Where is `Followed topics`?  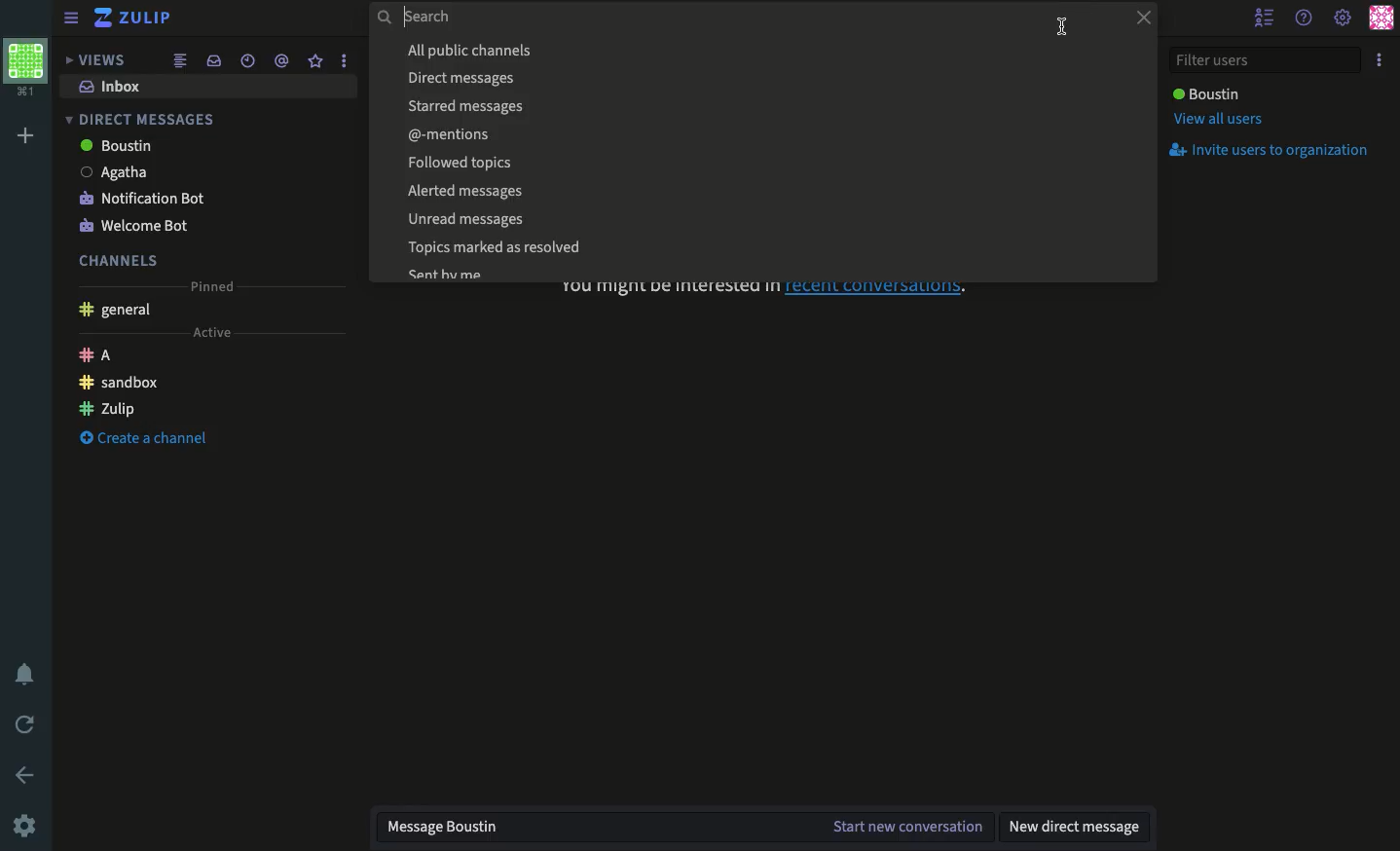 Followed topics is located at coordinates (768, 162).